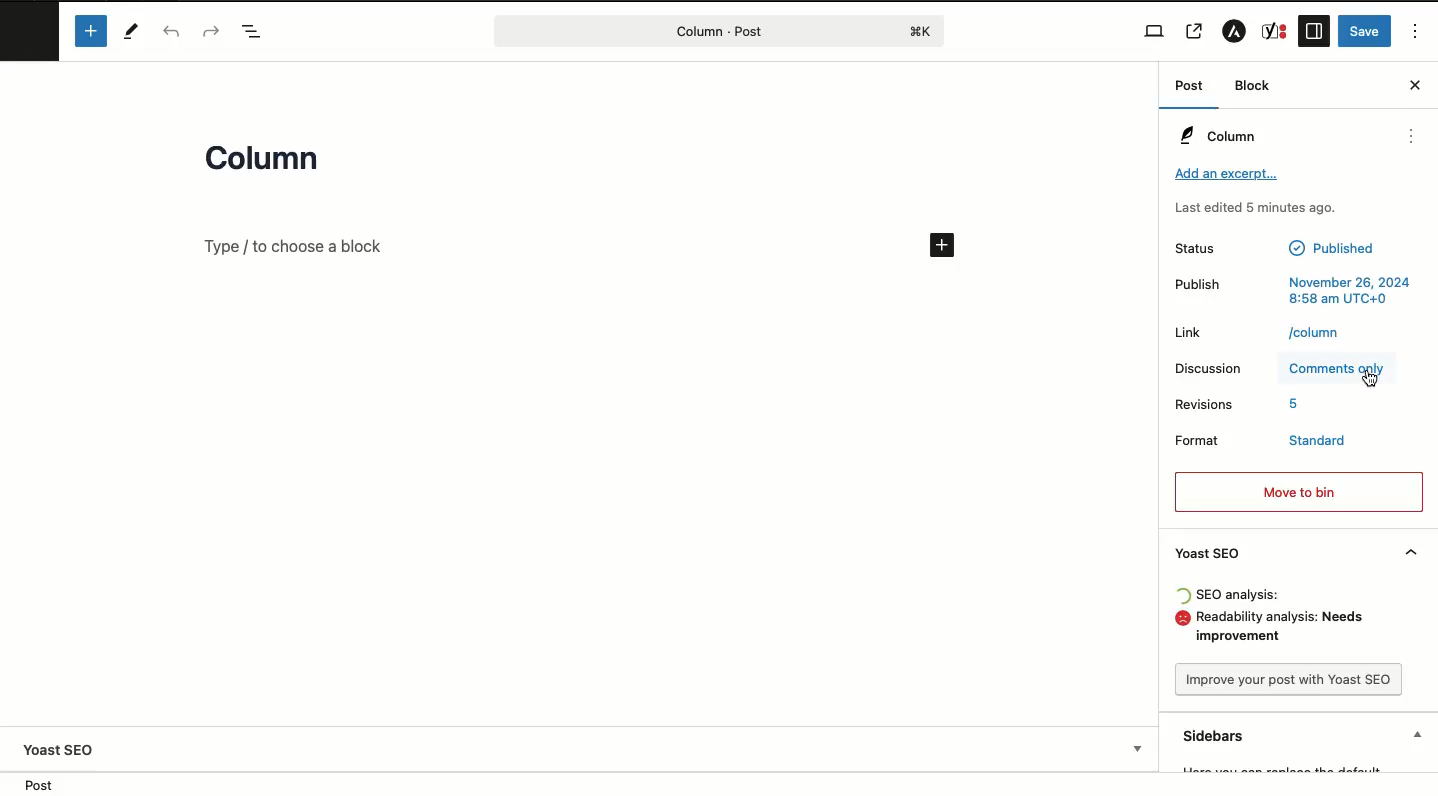 The image size is (1438, 796). What do you see at coordinates (1418, 32) in the screenshot?
I see `Options` at bounding box center [1418, 32].